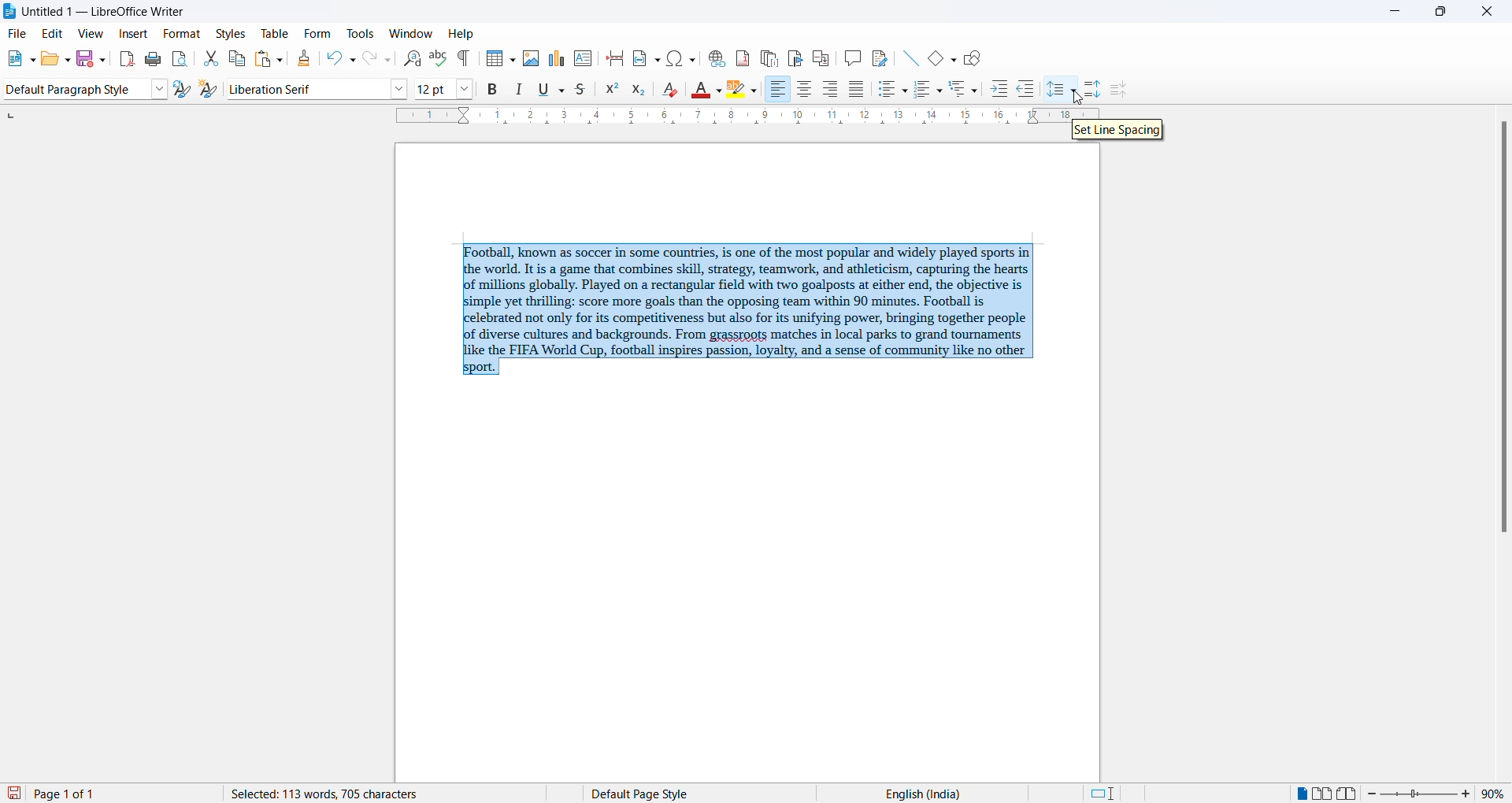 The image size is (1512, 803). Describe the element at coordinates (79, 88) in the screenshot. I see `paragraph style` at that location.